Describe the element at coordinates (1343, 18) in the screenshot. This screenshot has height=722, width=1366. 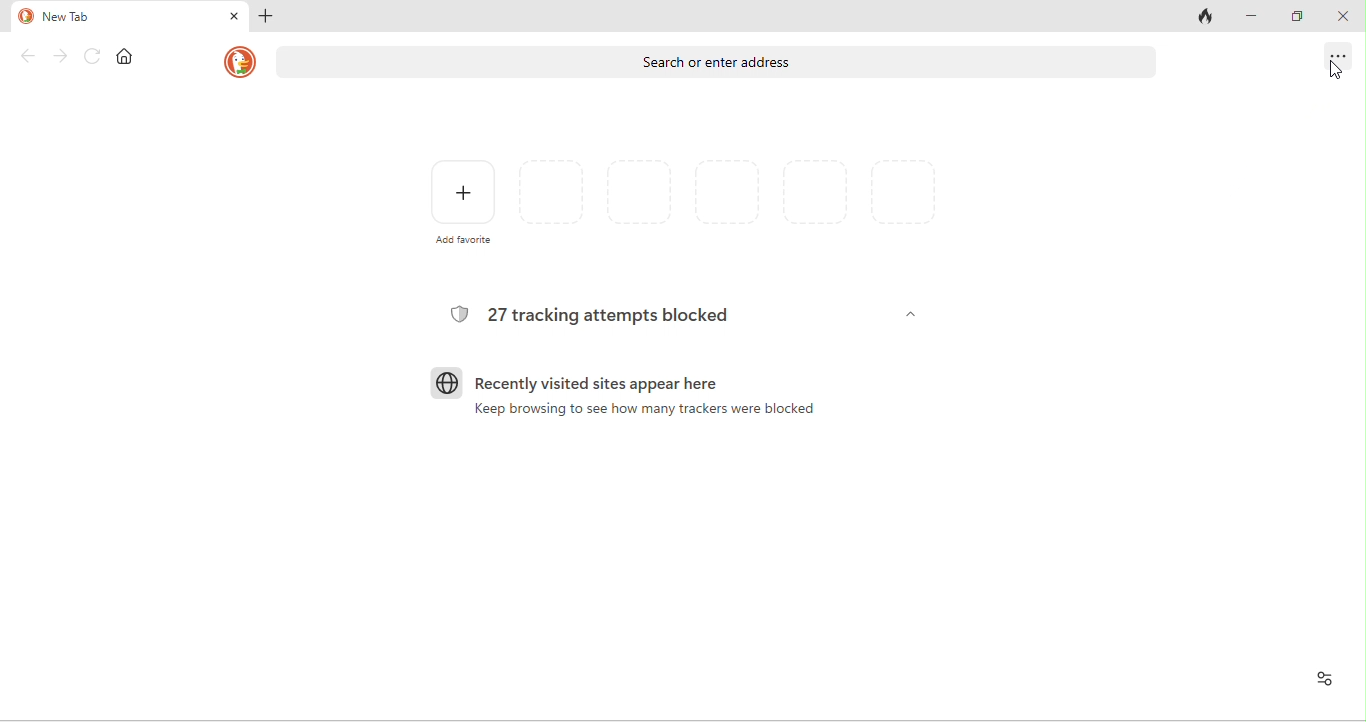
I see `close` at that location.